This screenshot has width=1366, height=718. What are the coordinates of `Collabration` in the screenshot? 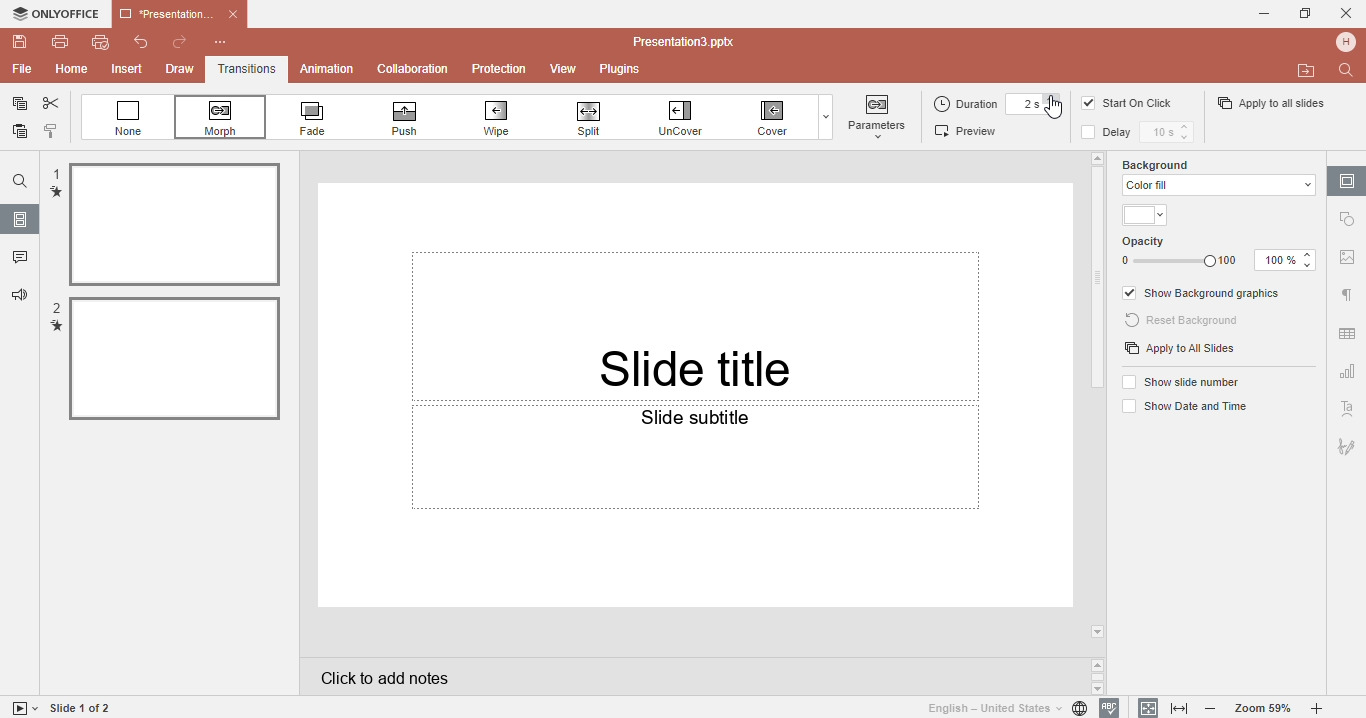 It's located at (413, 70).